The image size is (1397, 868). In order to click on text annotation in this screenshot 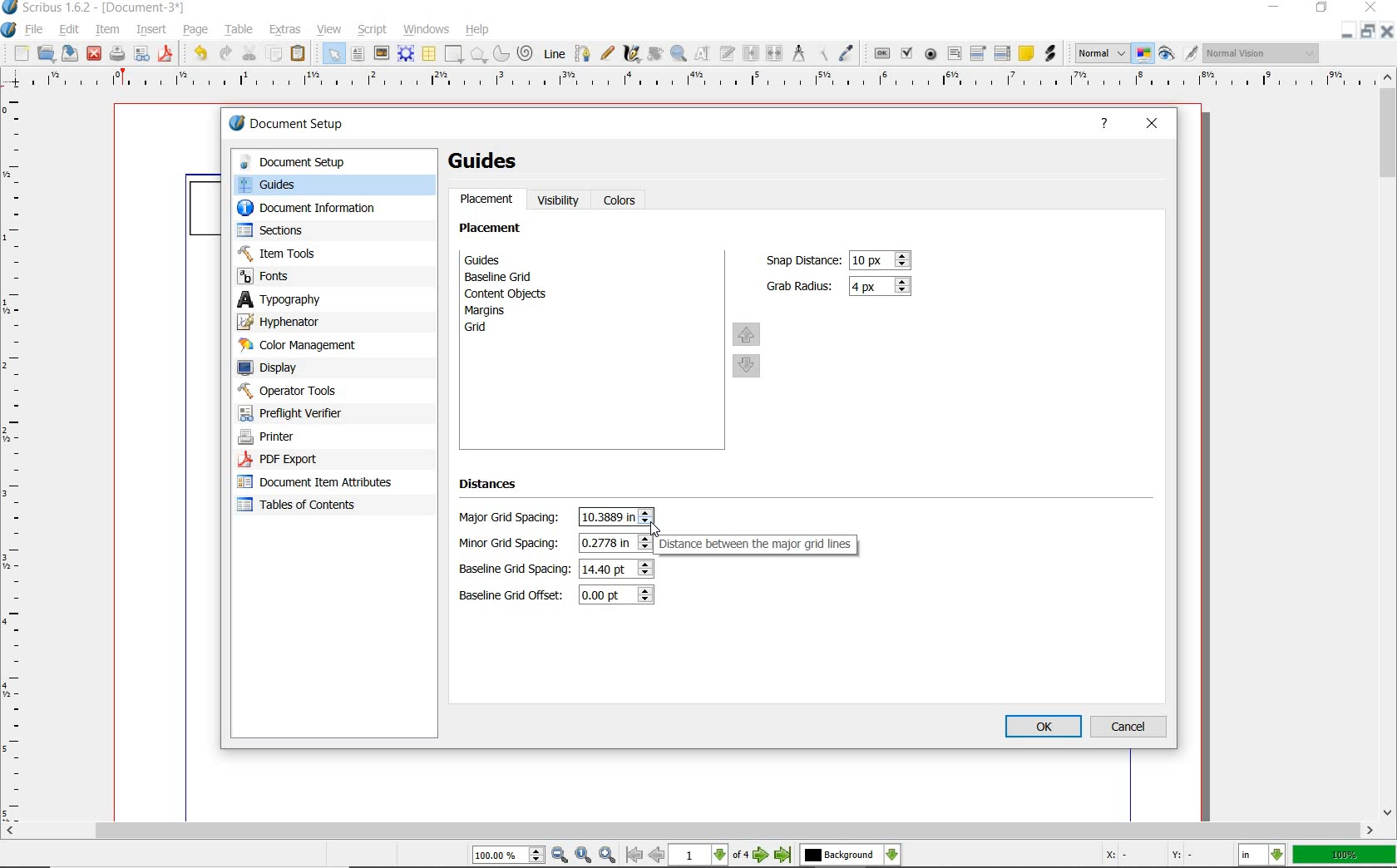, I will do `click(1025, 52)`.